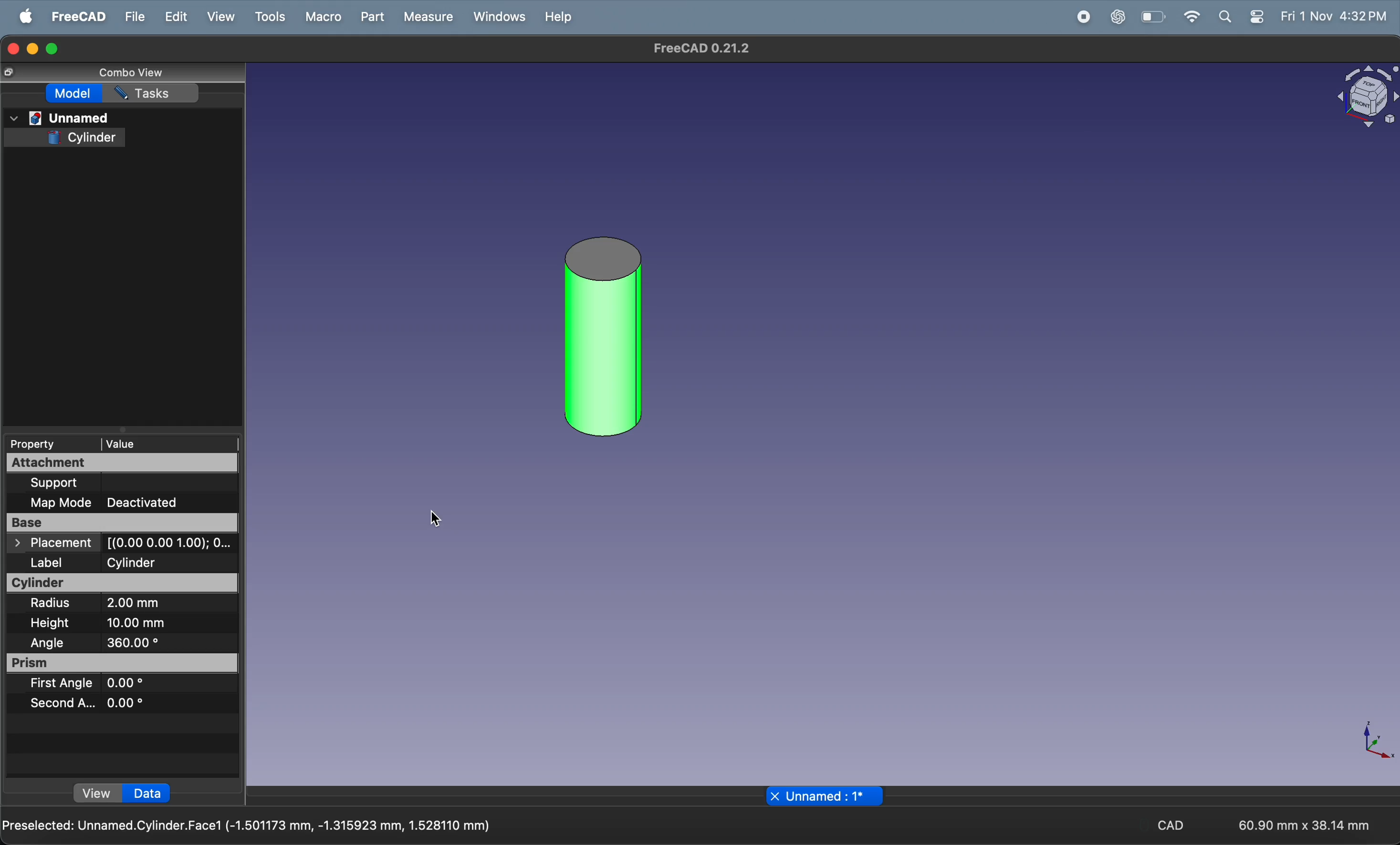 This screenshot has width=1400, height=845. What do you see at coordinates (56, 48) in the screenshot?
I see `maximize` at bounding box center [56, 48].